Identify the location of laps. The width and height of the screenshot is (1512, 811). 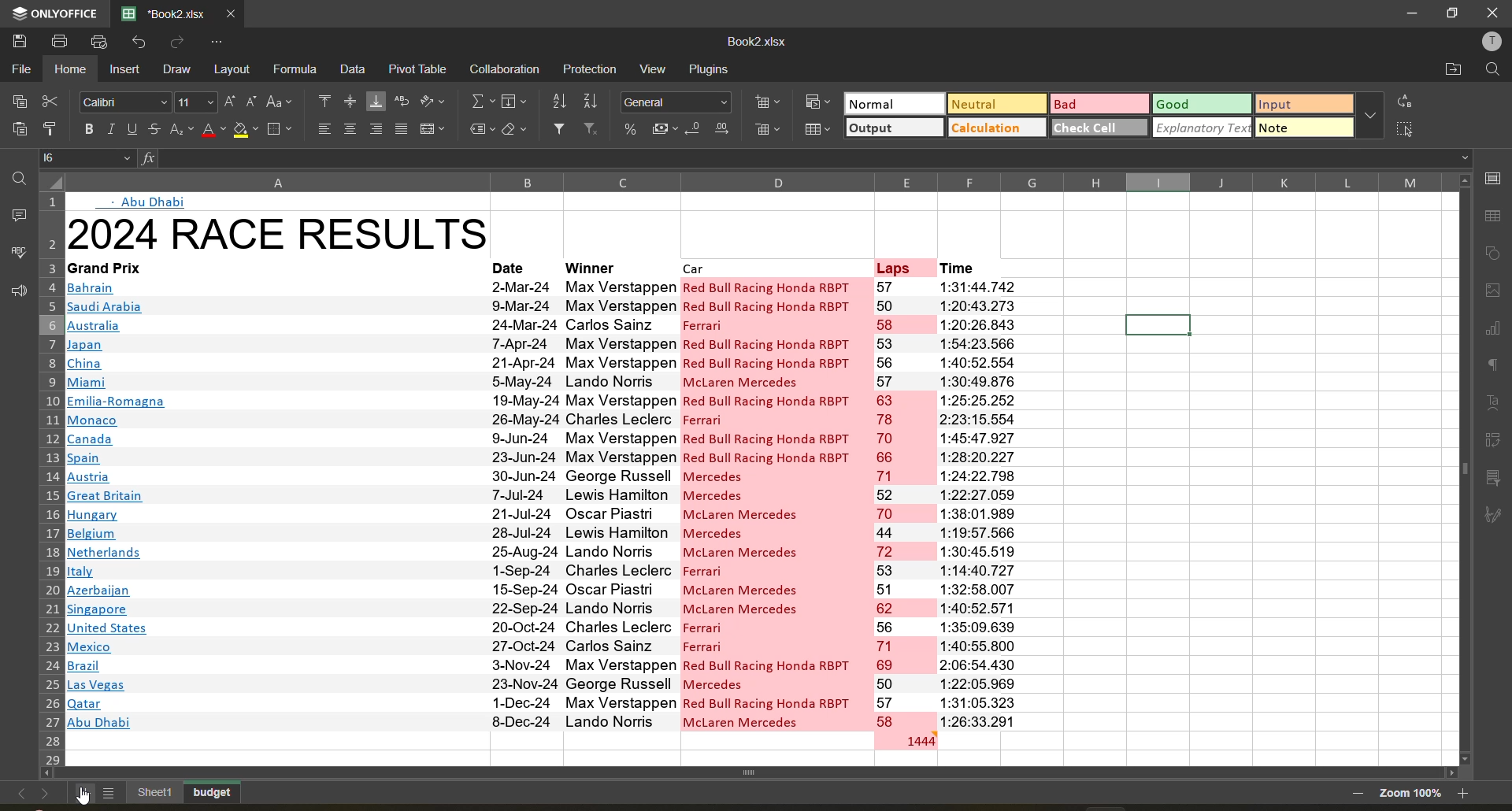
(906, 501).